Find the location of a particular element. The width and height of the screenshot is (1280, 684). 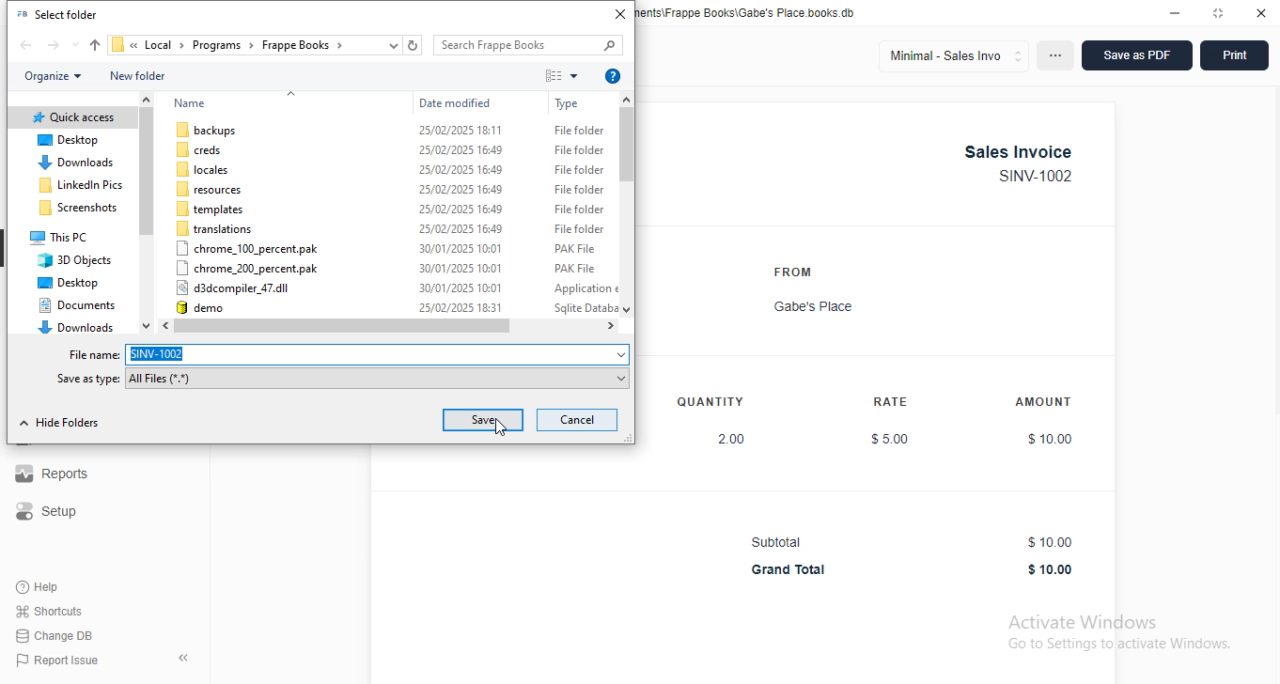

change your view is located at coordinates (562, 75).